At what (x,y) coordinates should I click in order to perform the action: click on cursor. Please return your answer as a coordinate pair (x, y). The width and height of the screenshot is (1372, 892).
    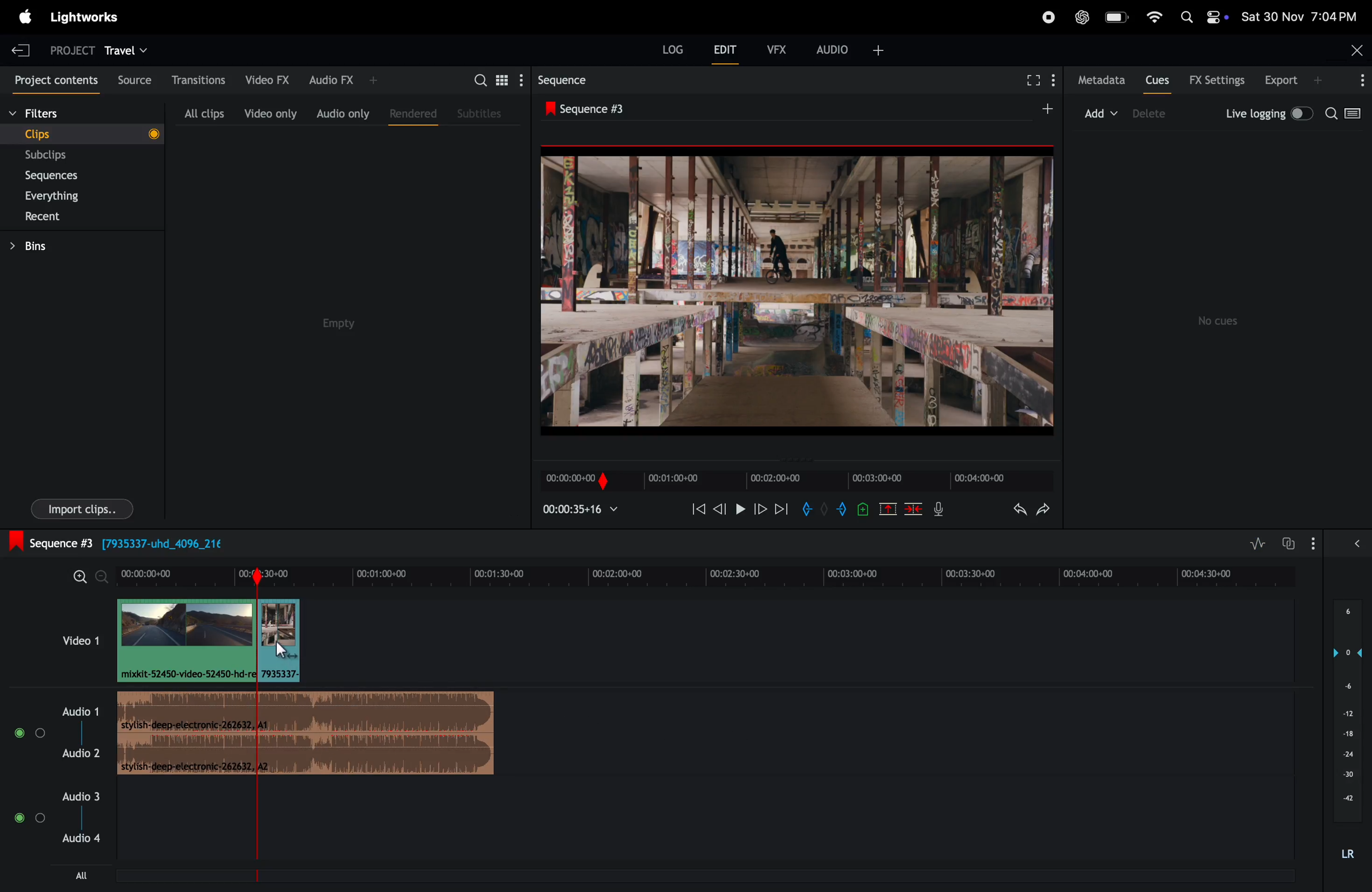
    Looking at the image, I should click on (286, 653).